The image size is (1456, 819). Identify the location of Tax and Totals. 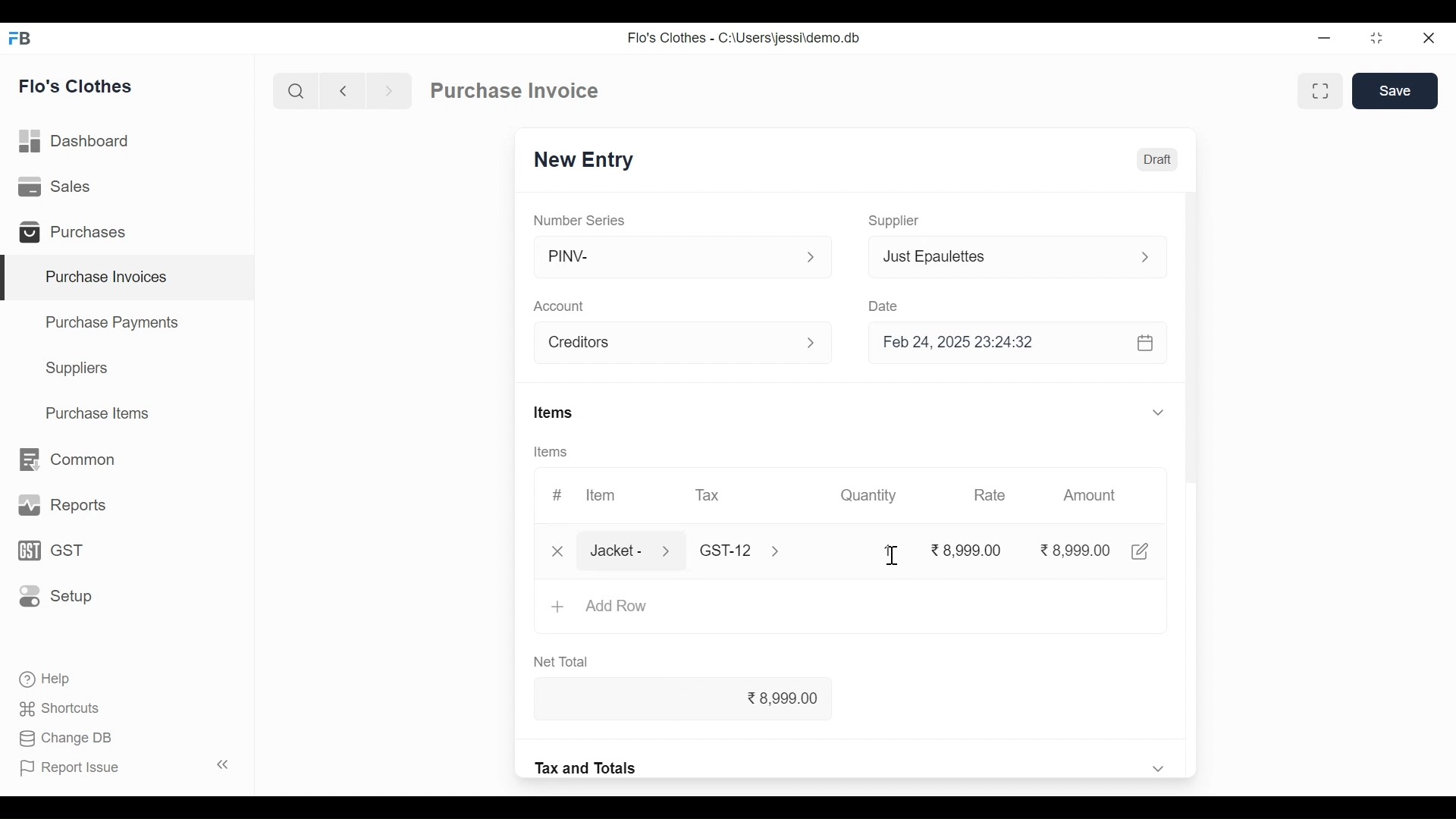
(588, 767).